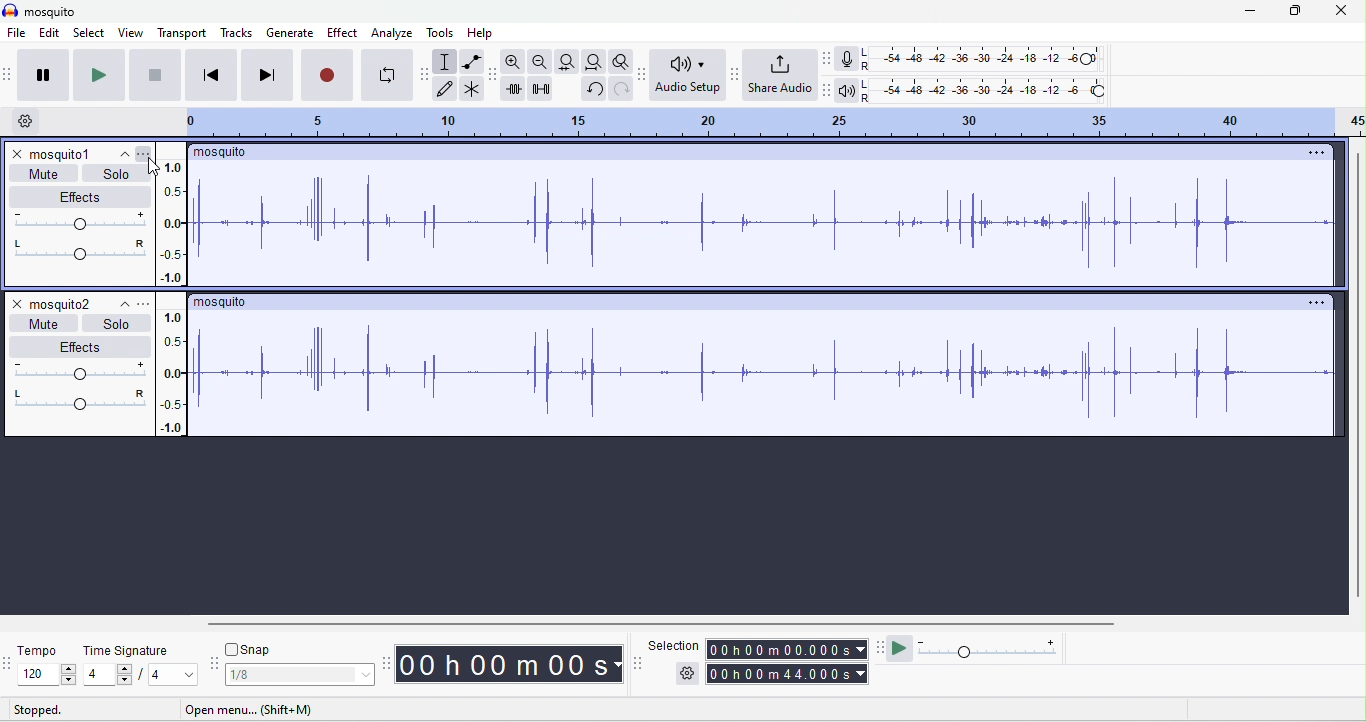 This screenshot has height=722, width=1366. Describe the element at coordinates (540, 60) in the screenshot. I see `zoom out` at that location.